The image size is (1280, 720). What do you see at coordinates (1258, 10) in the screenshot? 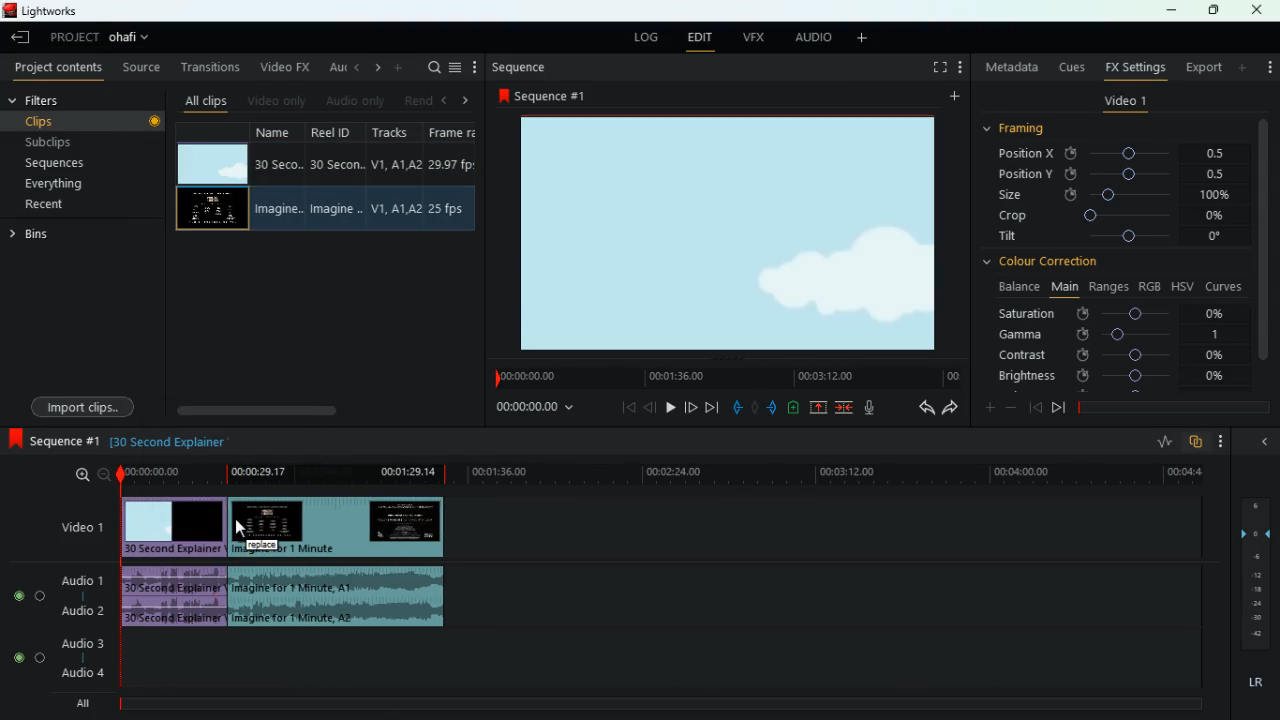
I see `close` at bounding box center [1258, 10].